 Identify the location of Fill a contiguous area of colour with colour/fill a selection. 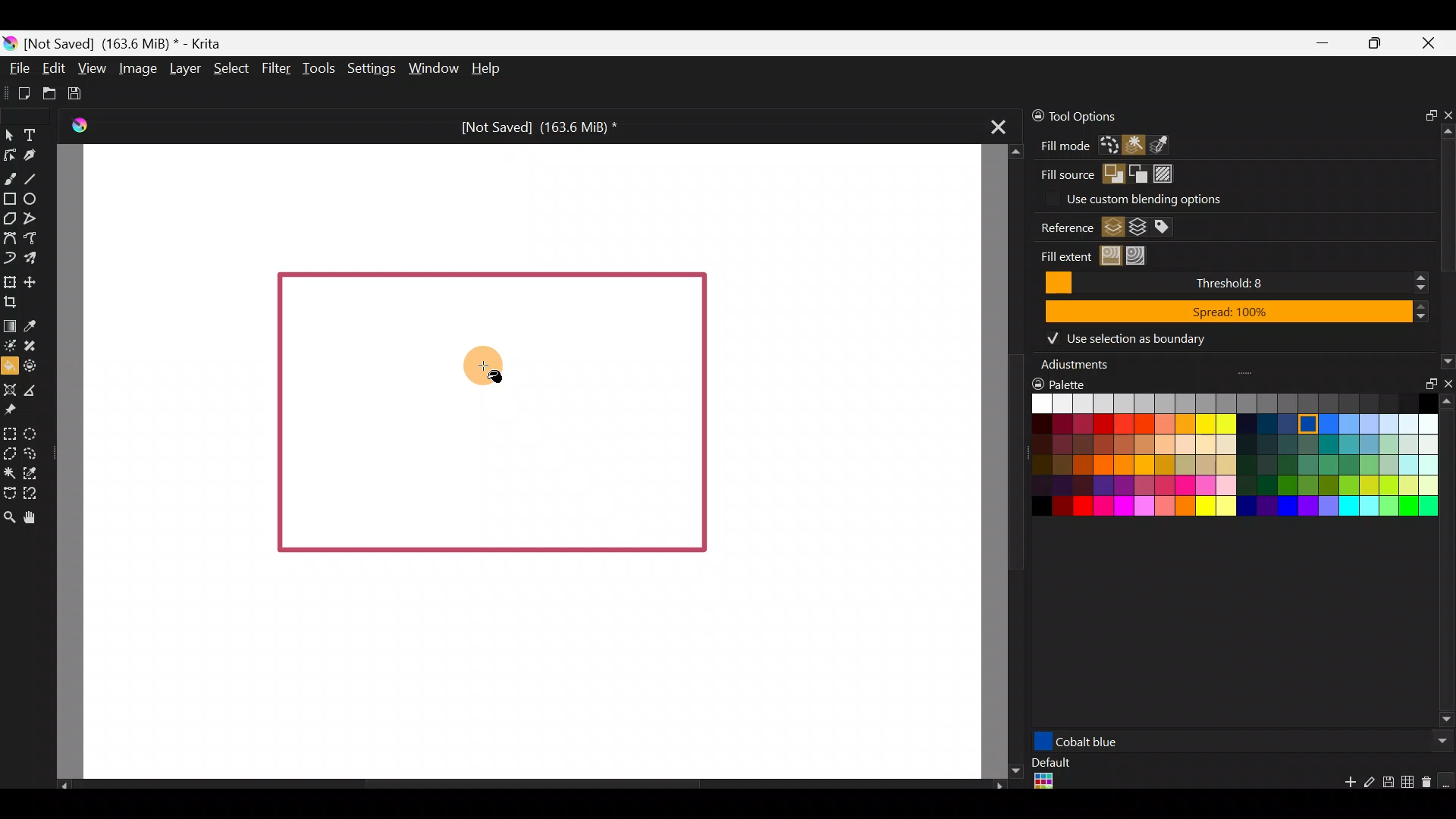
(9, 365).